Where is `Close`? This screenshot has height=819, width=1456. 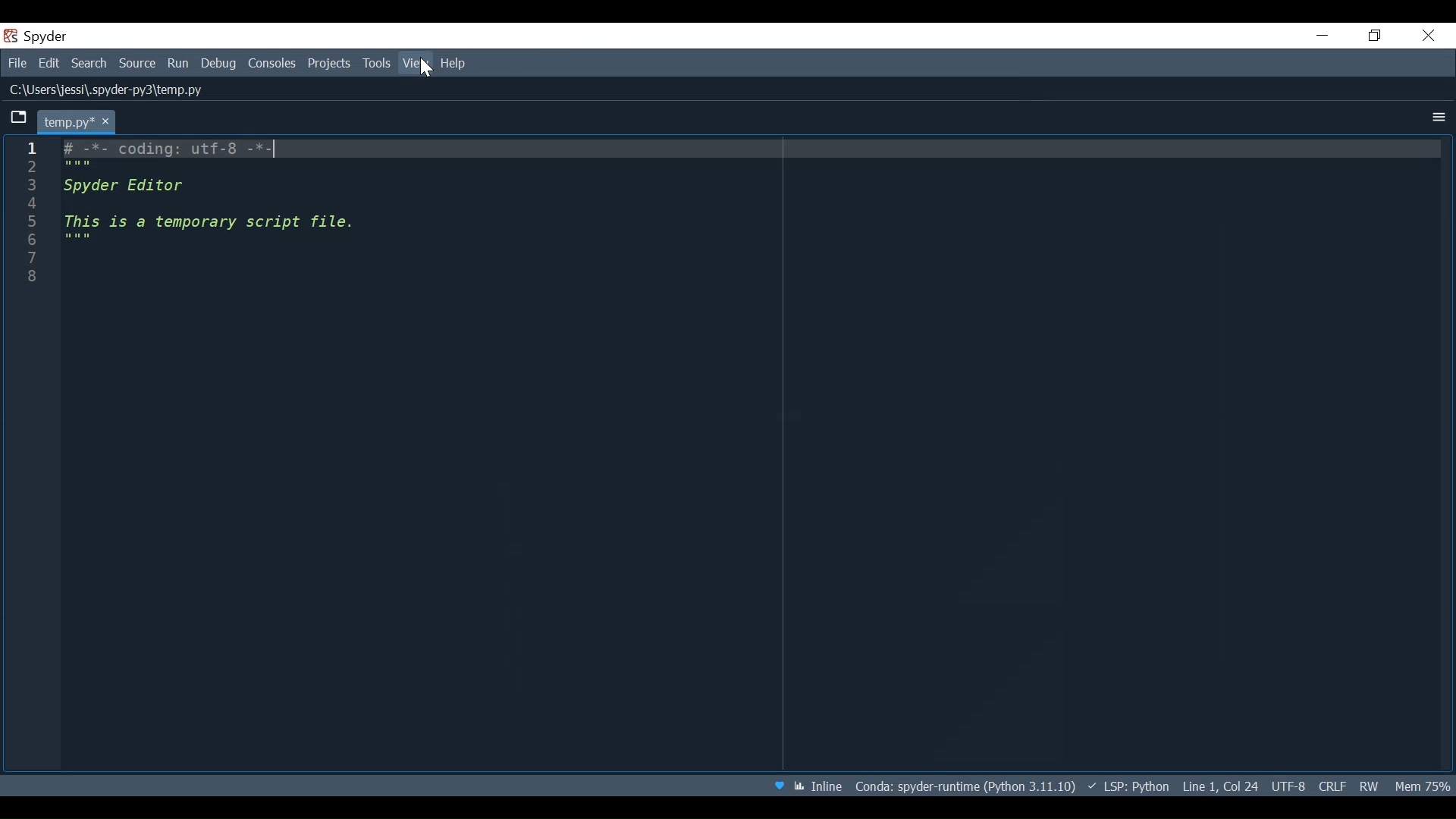 Close is located at coordinates (1429, 36).